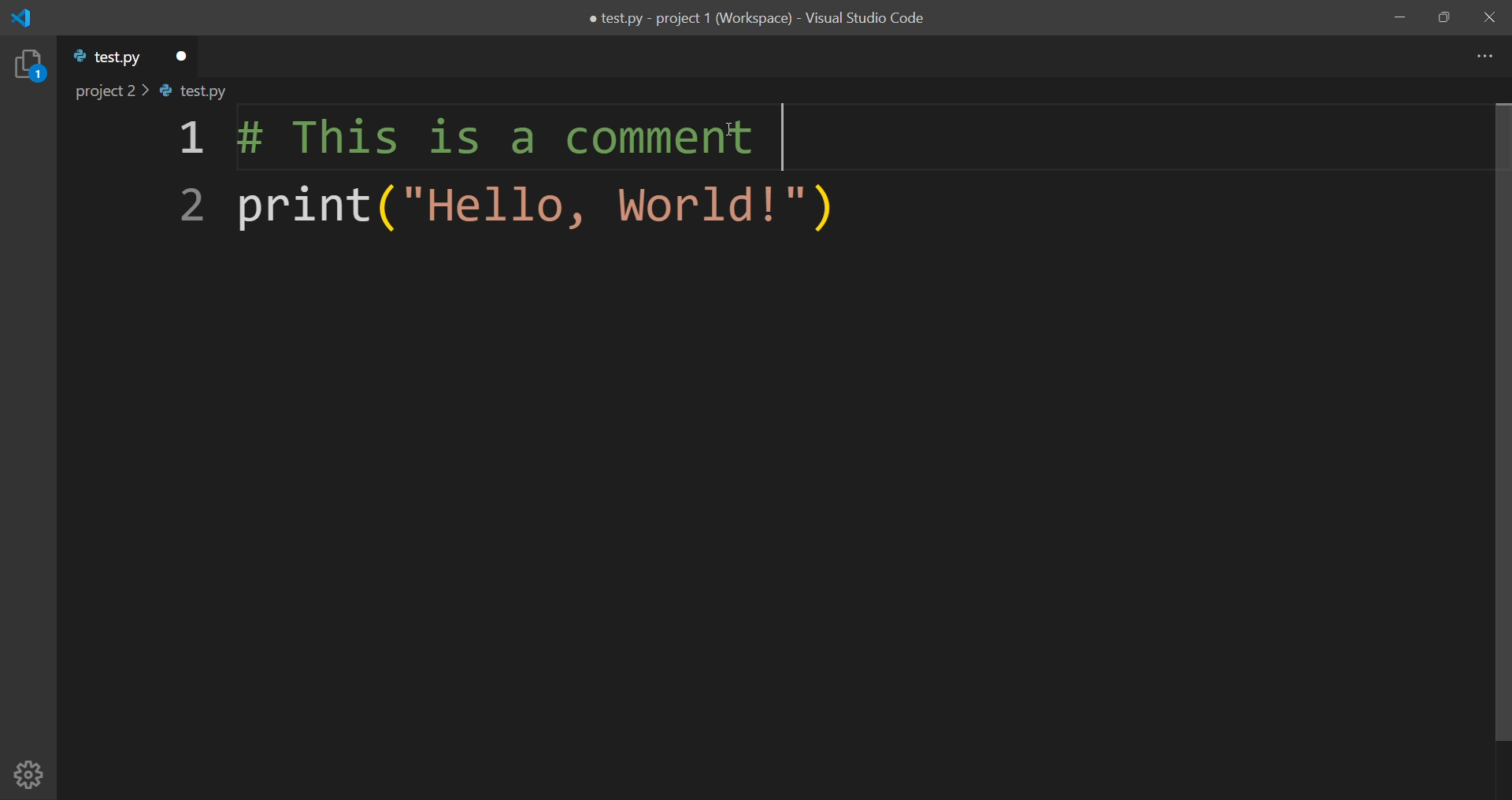 This screenshot has width=1512, height=800. I want to click on path, so click(166, 93).